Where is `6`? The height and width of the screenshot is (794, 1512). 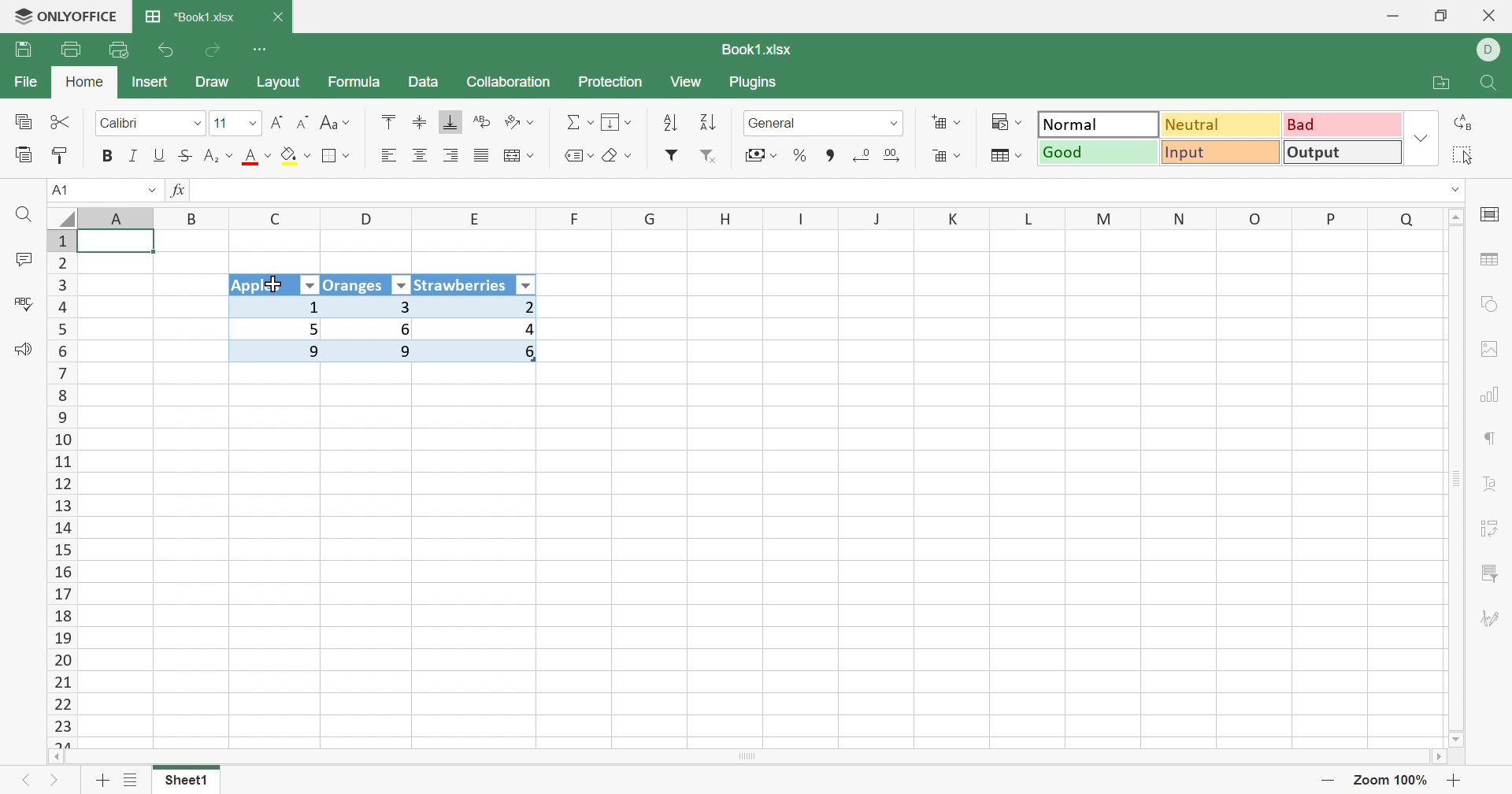 6 is located at coordinates (378, 328).